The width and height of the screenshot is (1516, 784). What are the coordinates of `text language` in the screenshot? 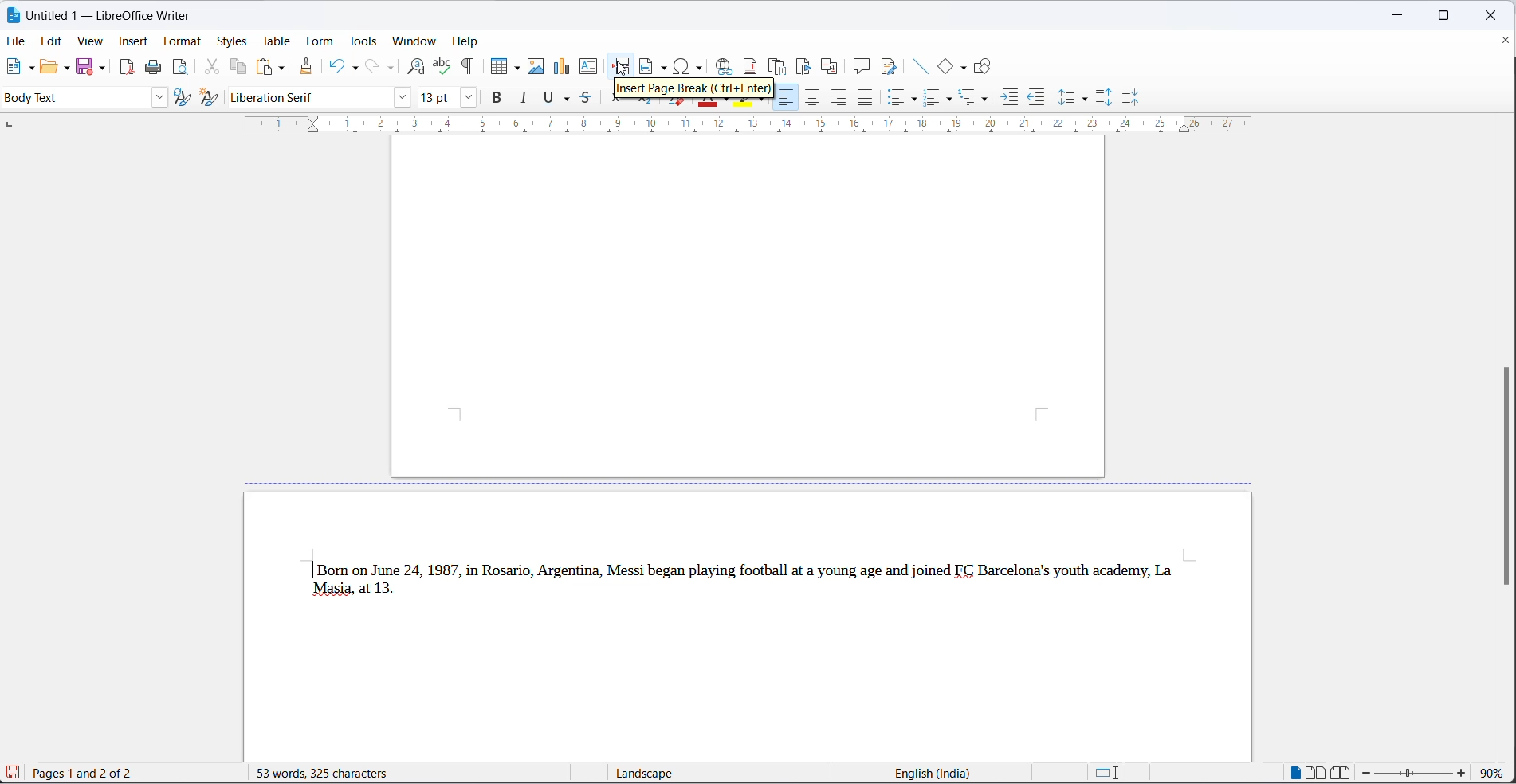 It's located at (912, 774).